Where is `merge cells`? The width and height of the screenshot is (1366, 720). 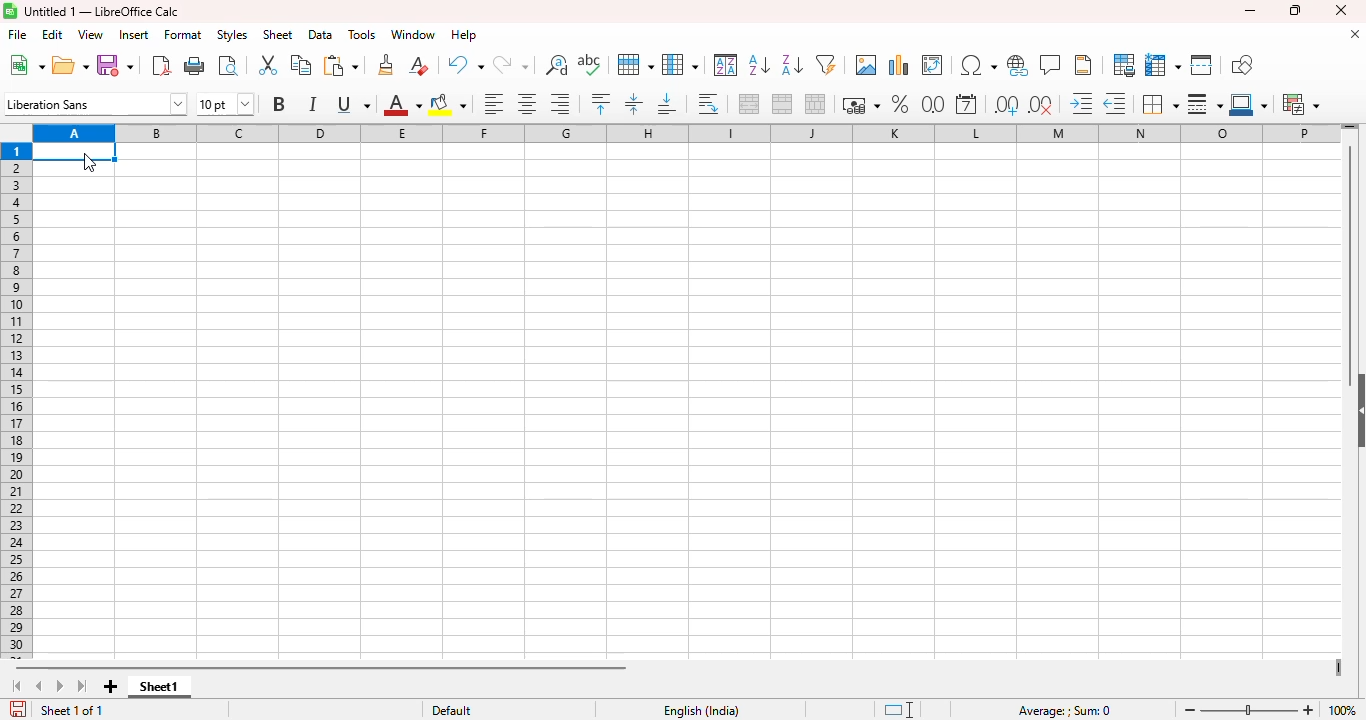
merge cells is located at coordinates (783, 104).